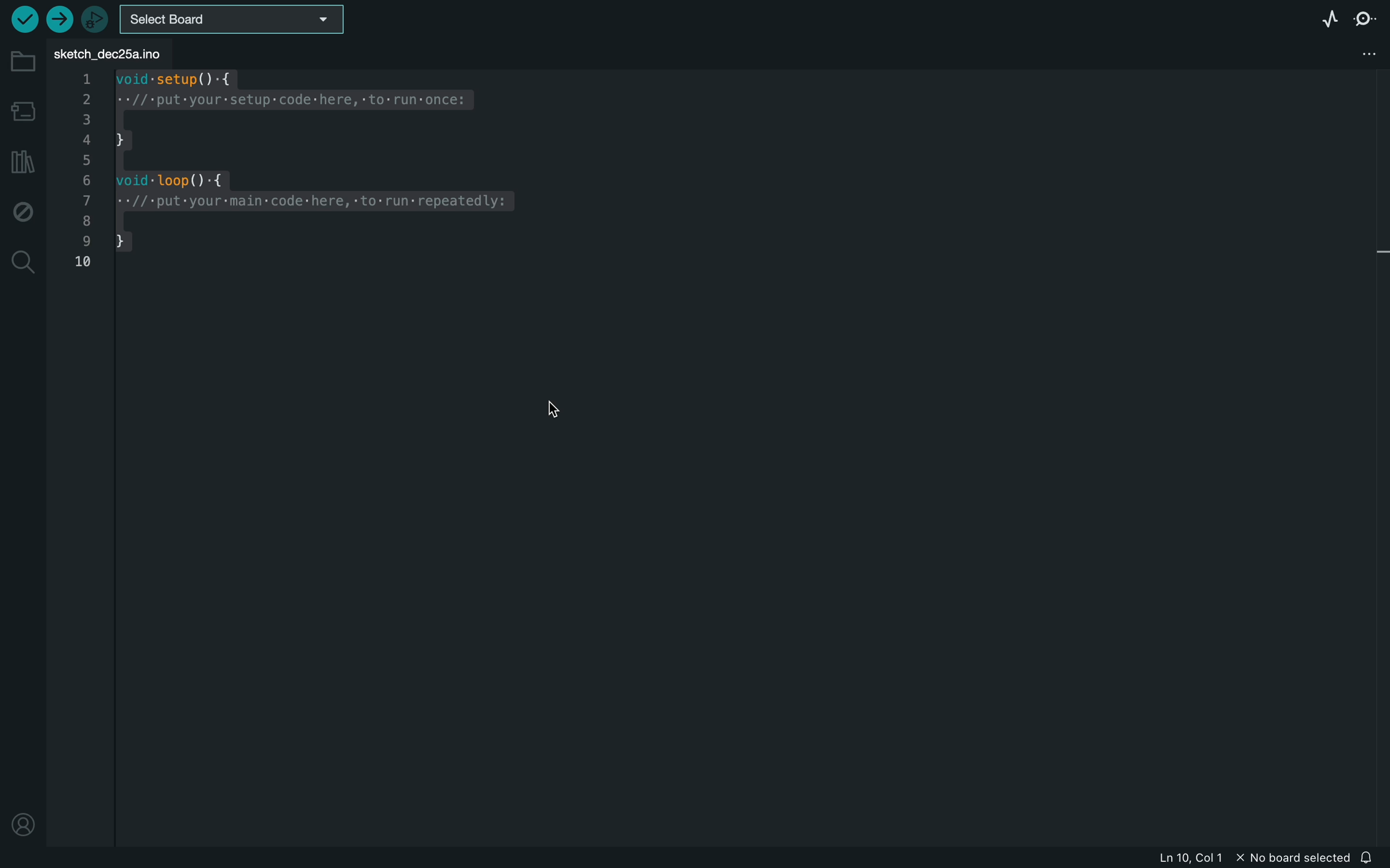 The width and height of the screenshot is (1390, 868). I want to click on code, so click(305, 174).